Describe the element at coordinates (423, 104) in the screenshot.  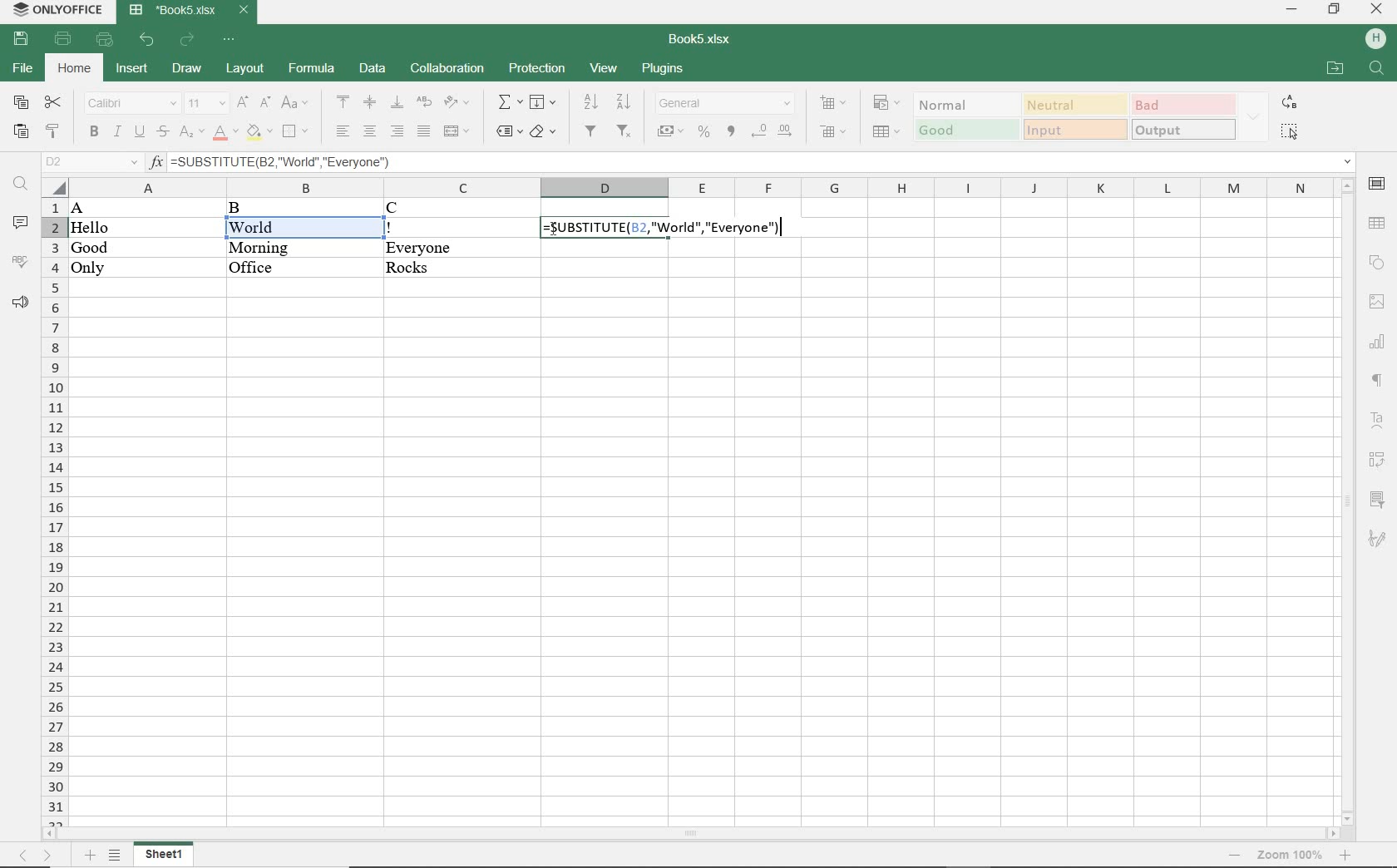
I see `wrap text` at that location.